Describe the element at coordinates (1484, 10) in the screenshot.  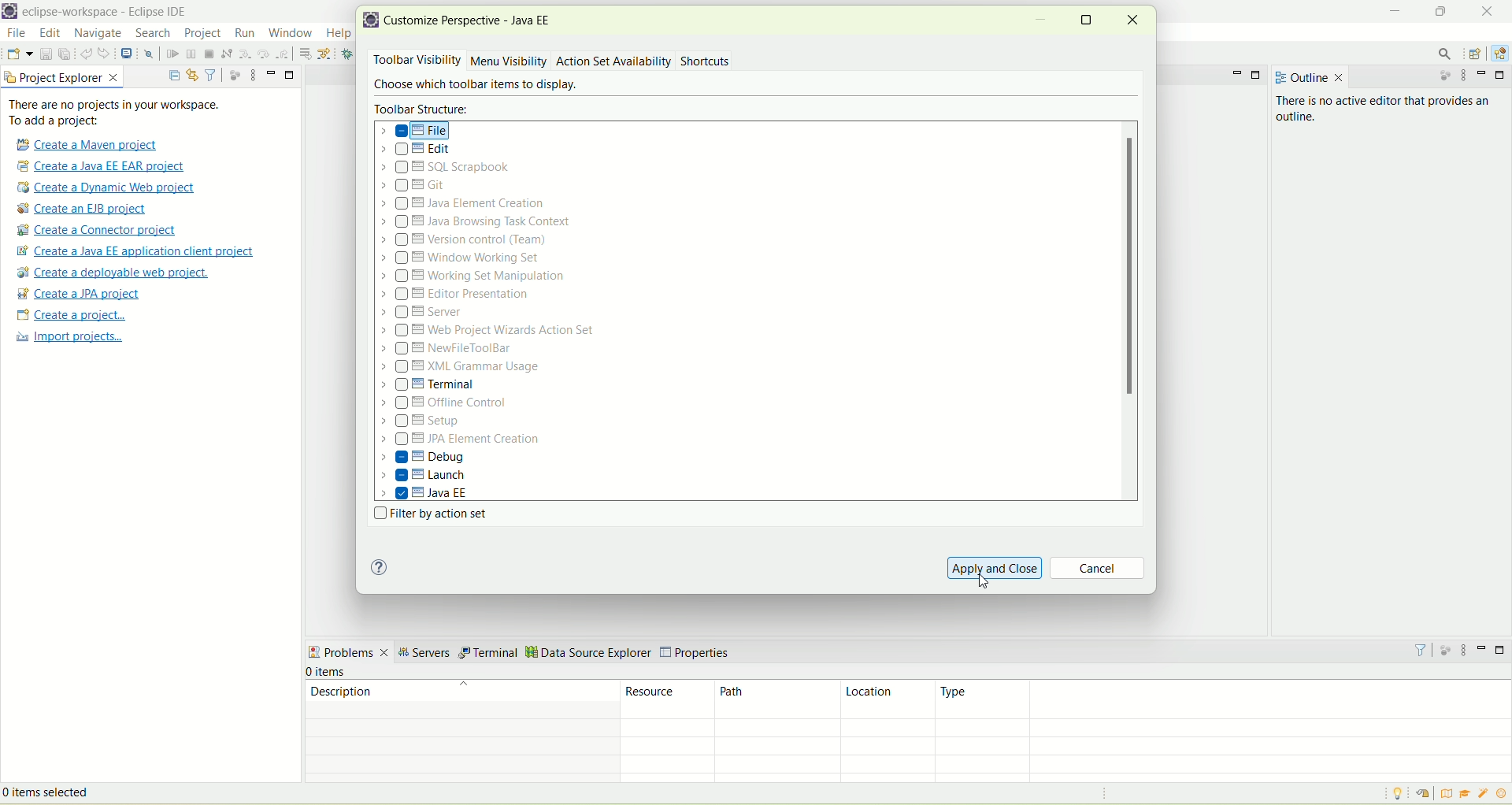
I see `close` at that location.